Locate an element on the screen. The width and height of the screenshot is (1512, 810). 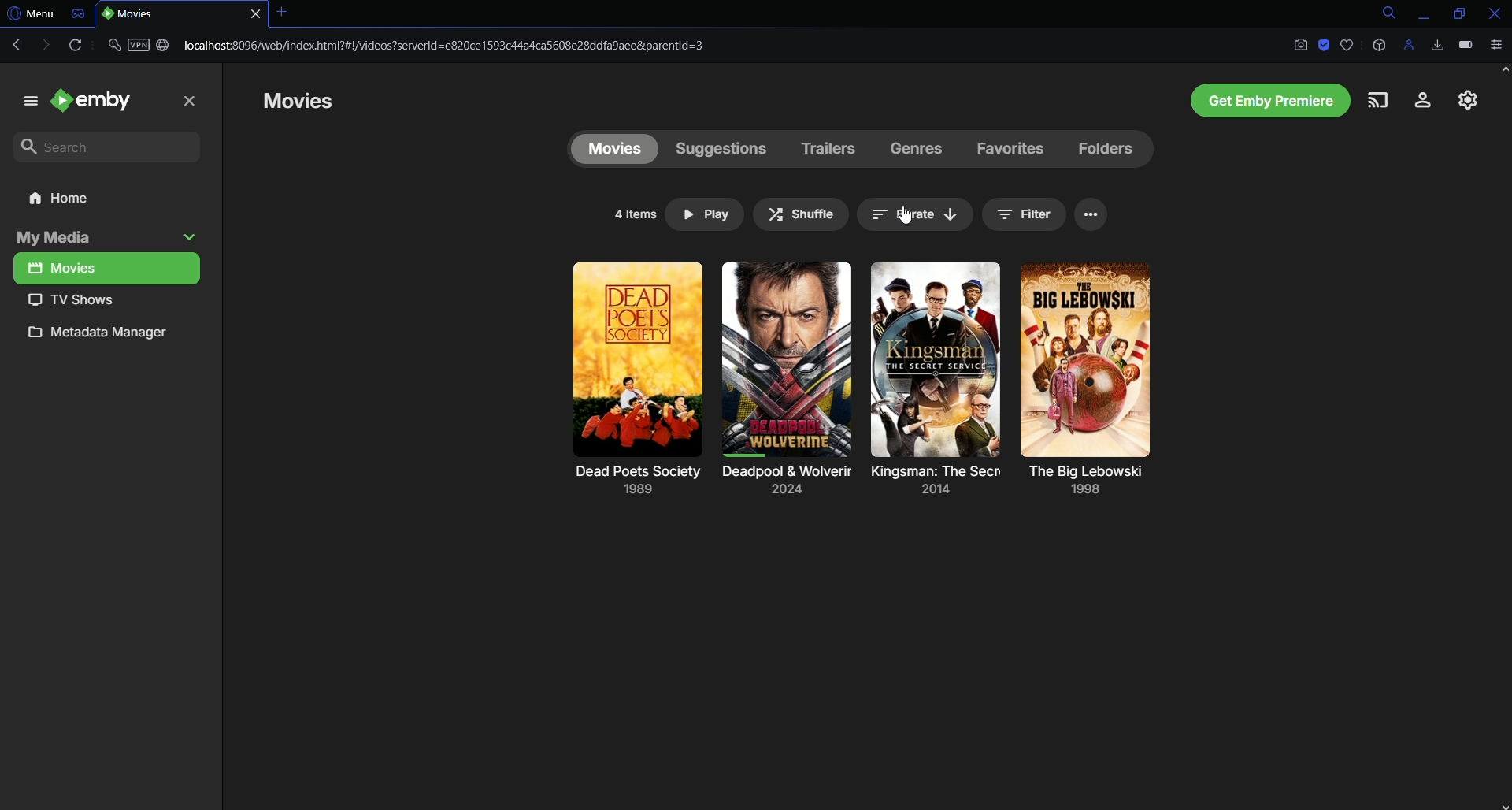
Settings is located at coordinates (1462, 102).